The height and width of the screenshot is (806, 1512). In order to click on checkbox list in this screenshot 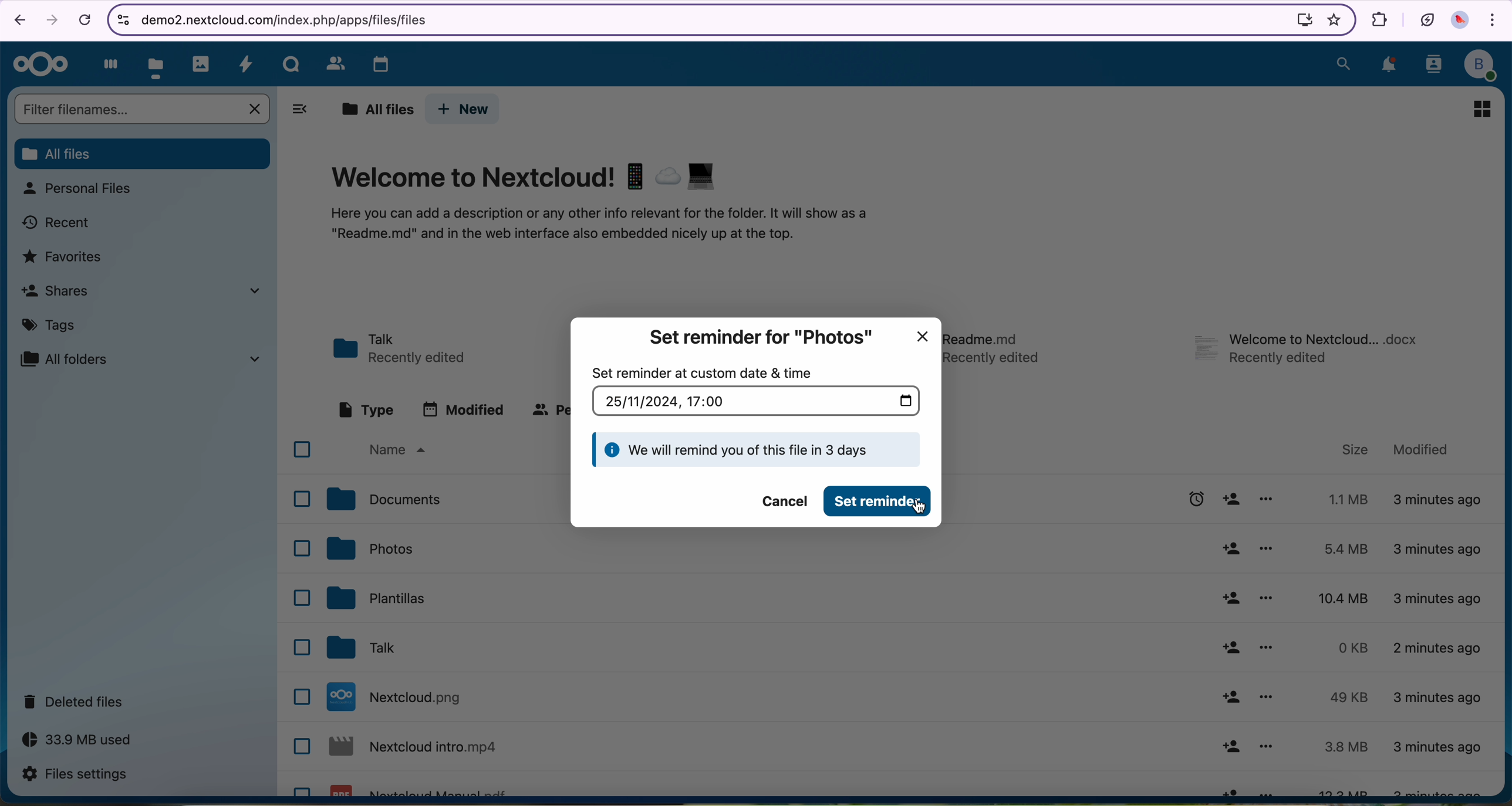, I will do `click(298, 614)`.